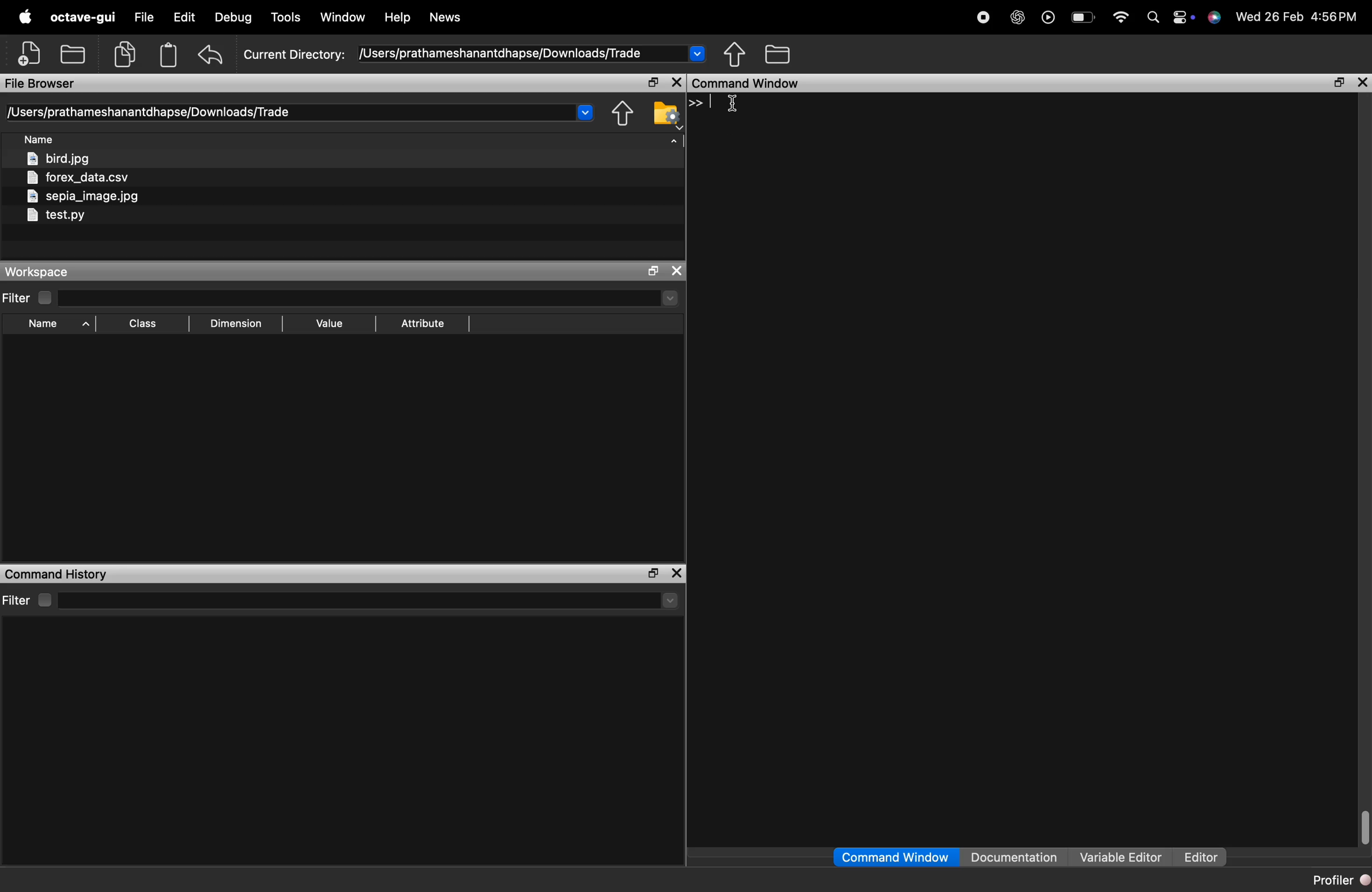  What do you see at coordinates (1185, 18) in the screenshot?
I see `action center` at bounding box center [1185, 18].